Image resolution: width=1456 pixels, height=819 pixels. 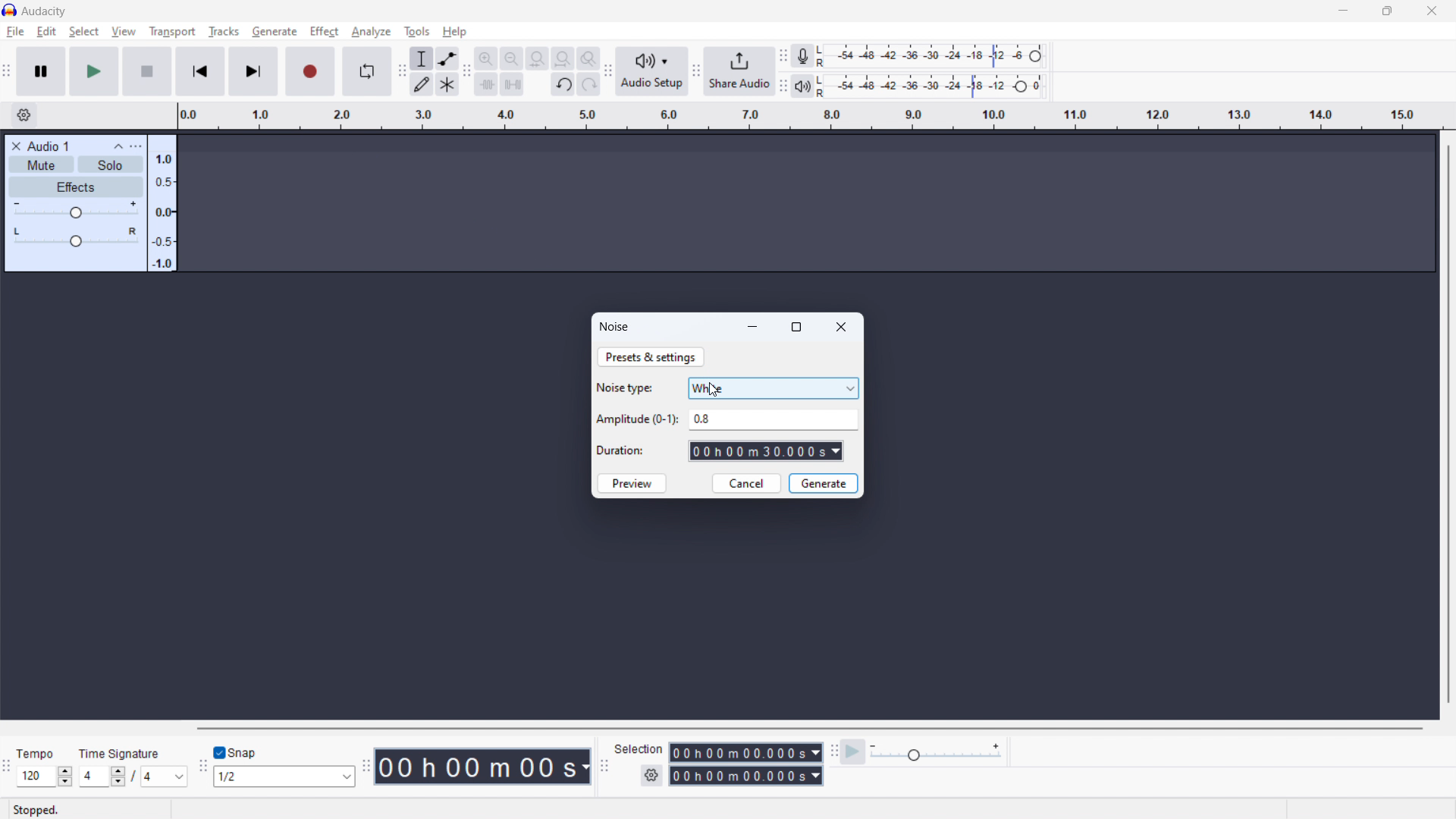 What do you see at coordinates (15, 32) in the screenshot?
I see `file` at bounding box center [15, 32].